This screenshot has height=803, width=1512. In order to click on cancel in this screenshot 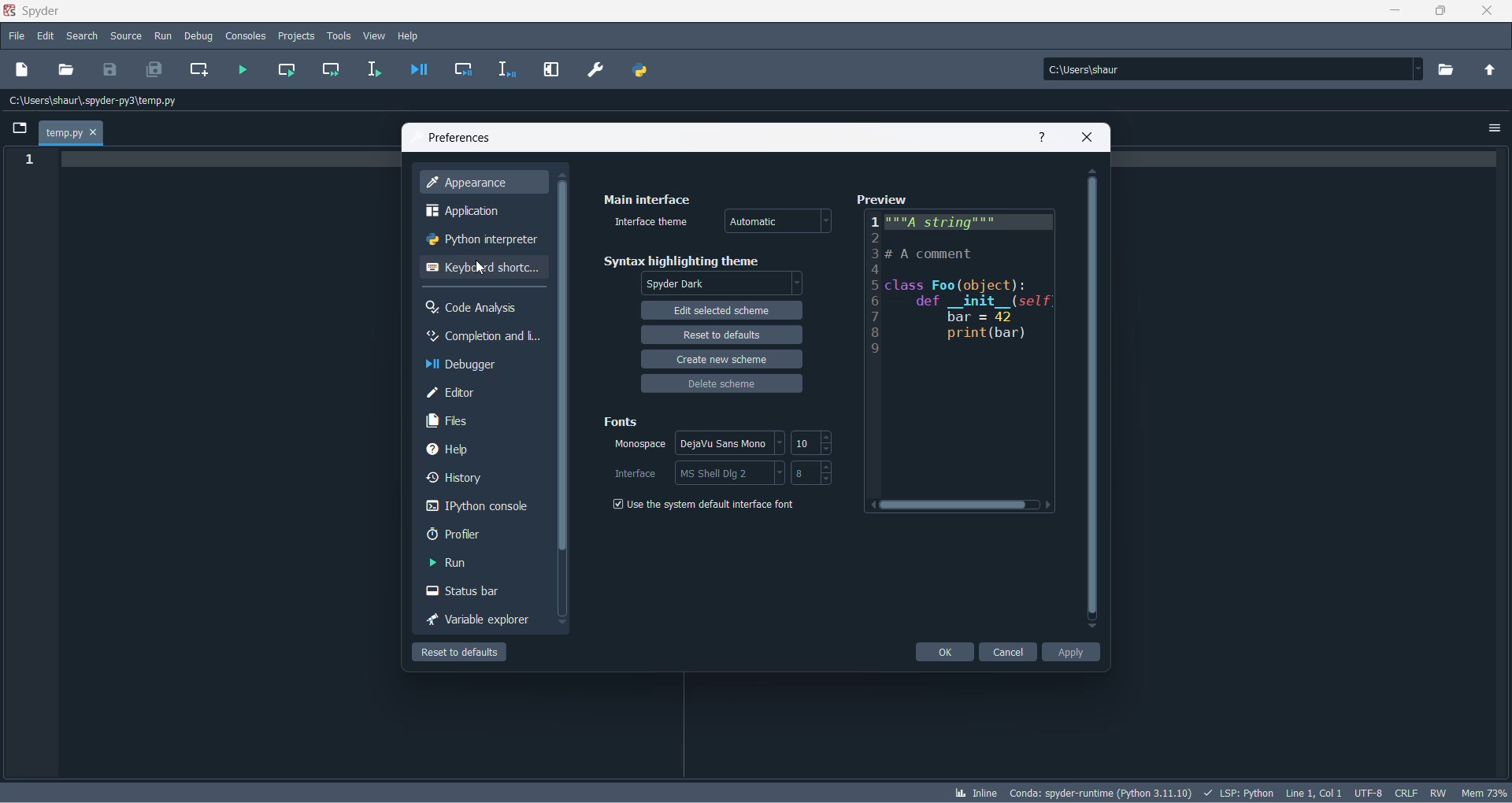, I will do `click(1009, 653)`.